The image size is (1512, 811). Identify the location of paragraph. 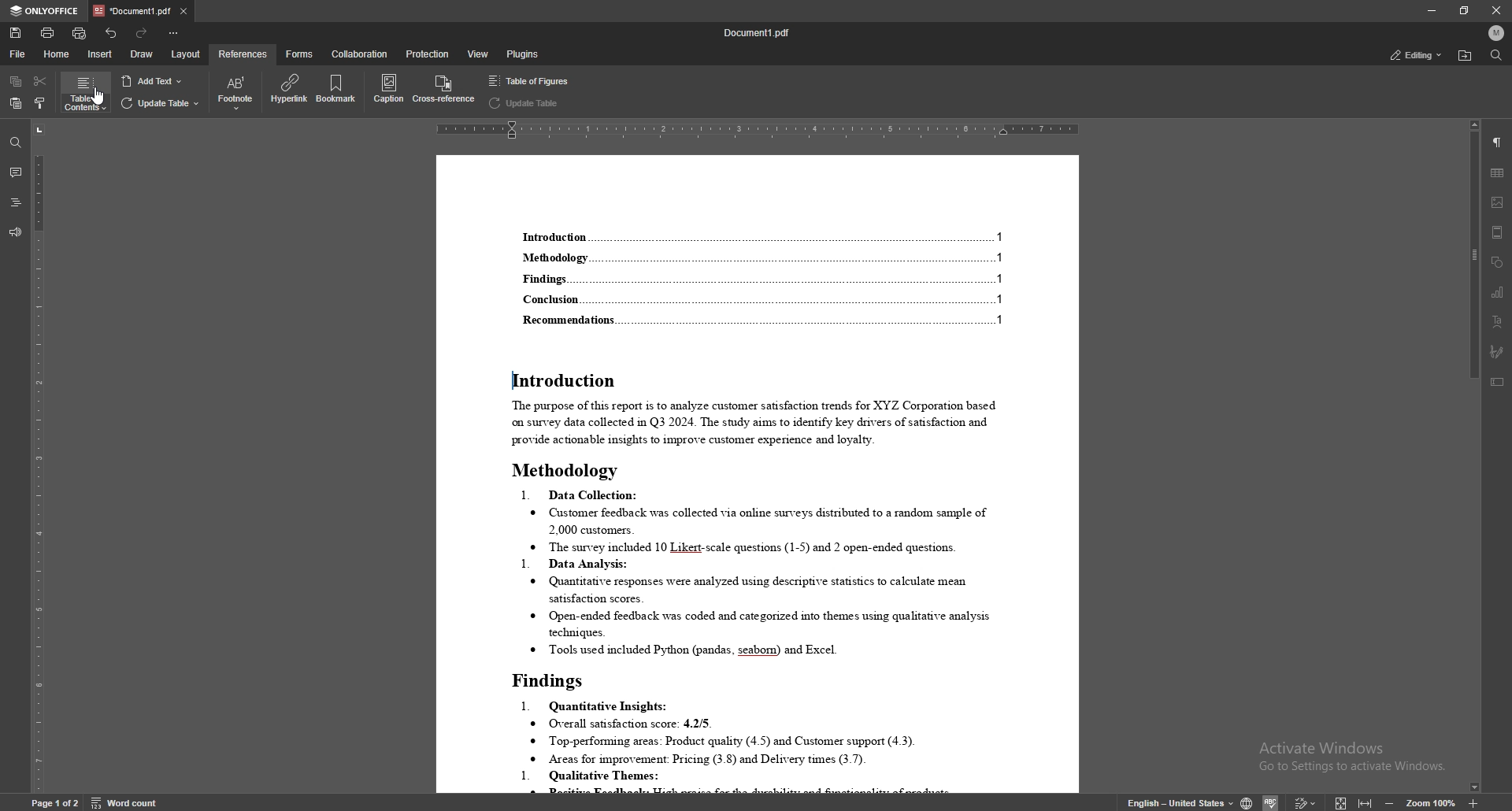
(1497, 143).